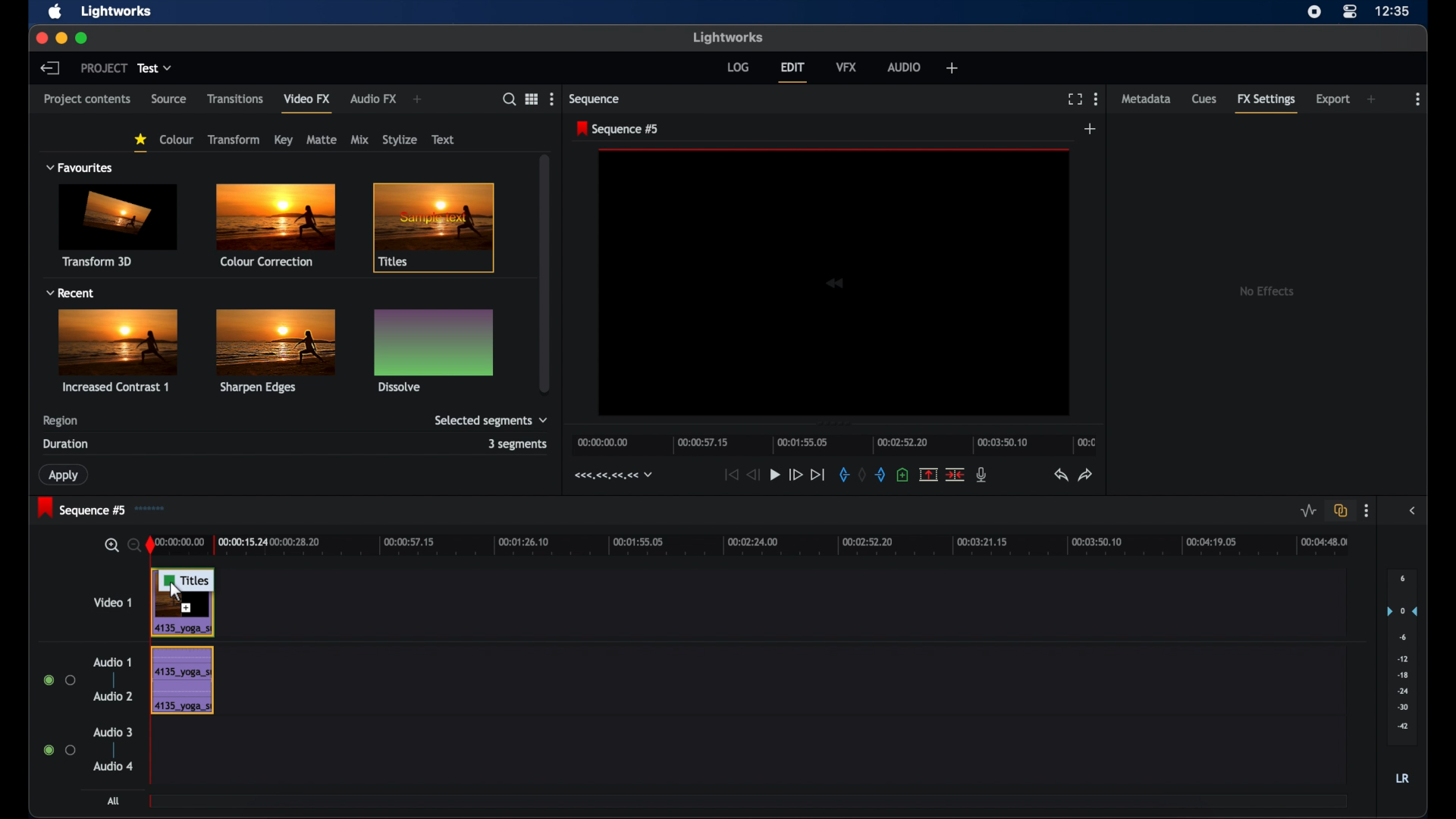 The height and width of the screenshot is (819, 1456). I want to click on transform, so click(235, 140).